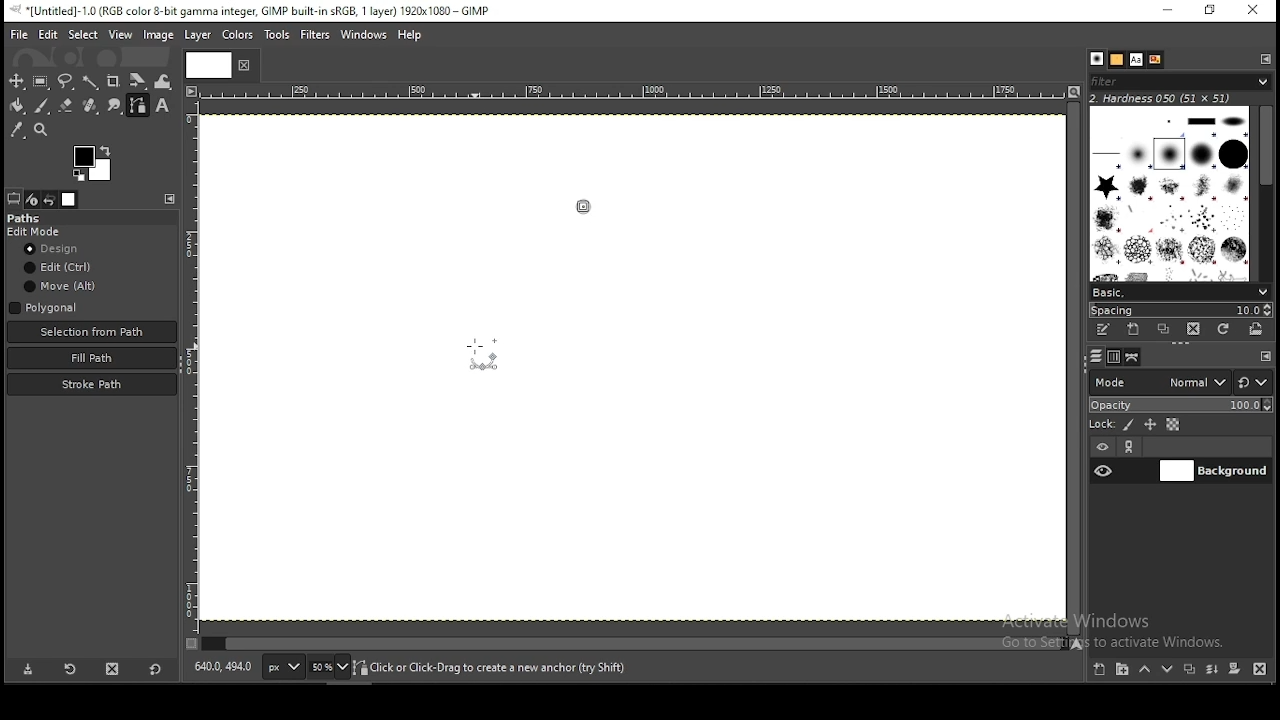  What do you see at coordinates (36, 232) in the screenshot?
I see `edit mode` at bounding box center [36, 232].